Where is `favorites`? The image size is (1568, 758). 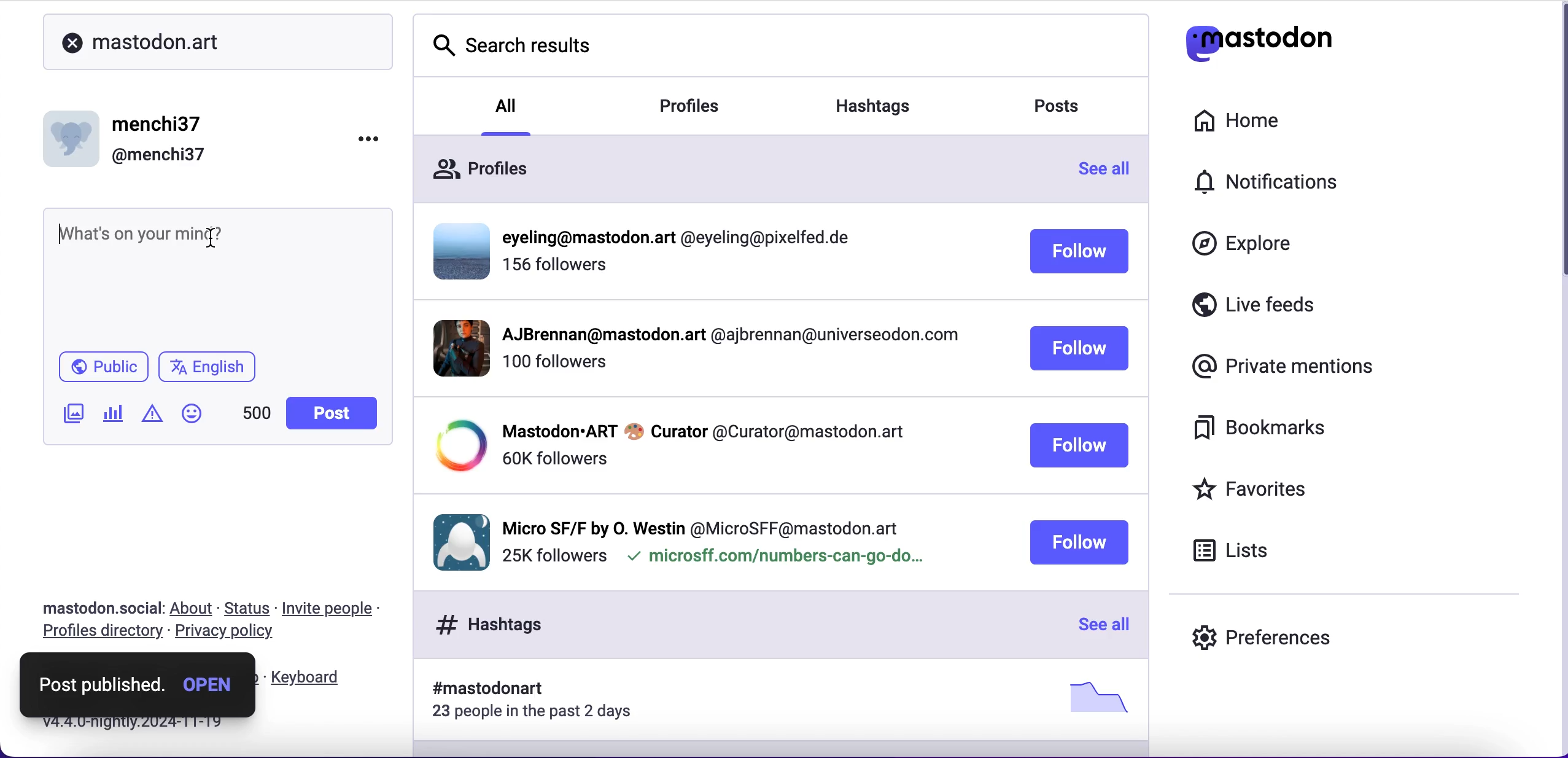
favorites is located at coordinates (1282, 488).